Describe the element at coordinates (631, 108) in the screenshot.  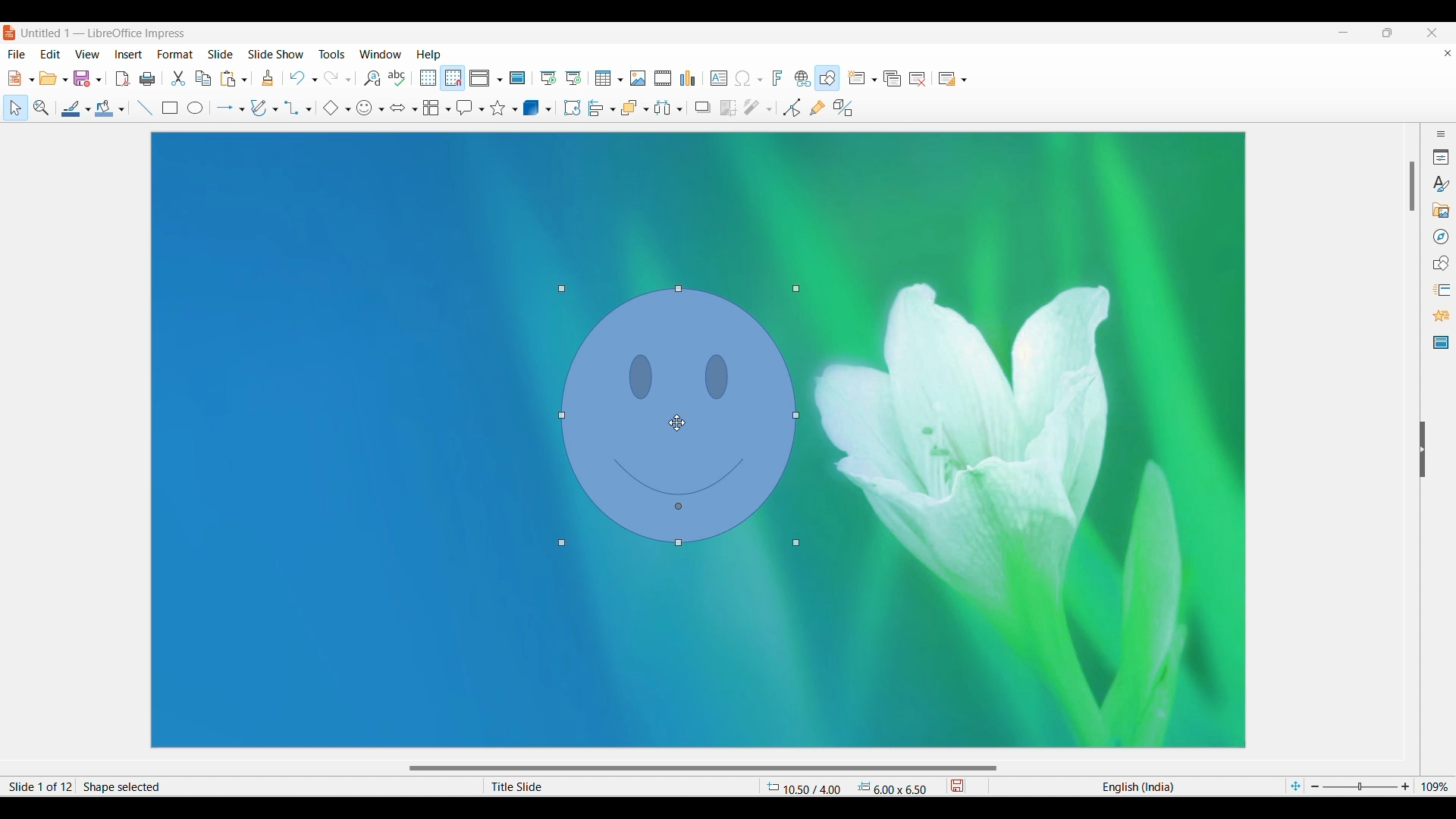
I see `Selected arrangement` at that location.